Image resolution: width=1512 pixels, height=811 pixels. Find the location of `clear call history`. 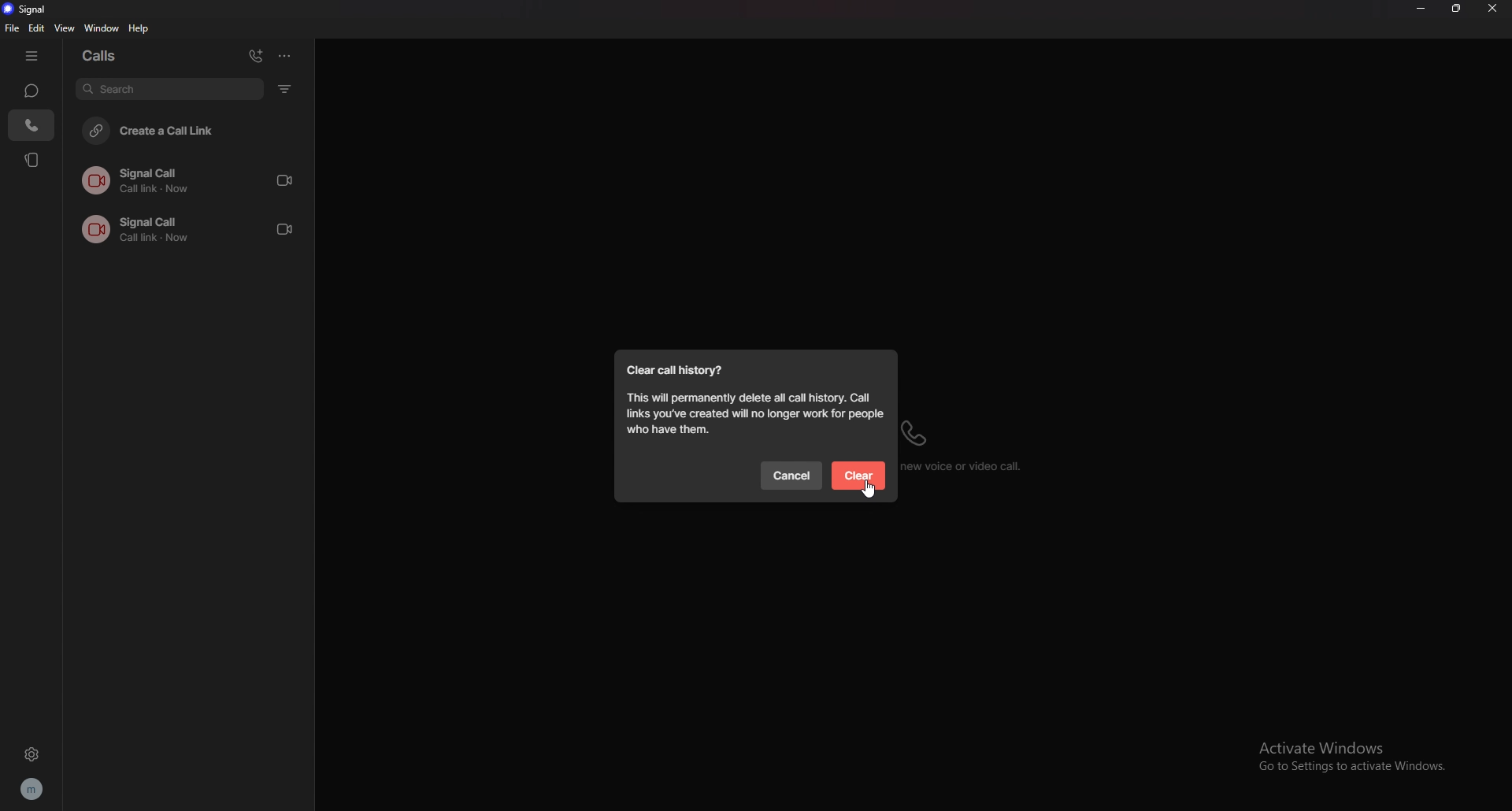

clear call history is located at coordinates (677, 370).